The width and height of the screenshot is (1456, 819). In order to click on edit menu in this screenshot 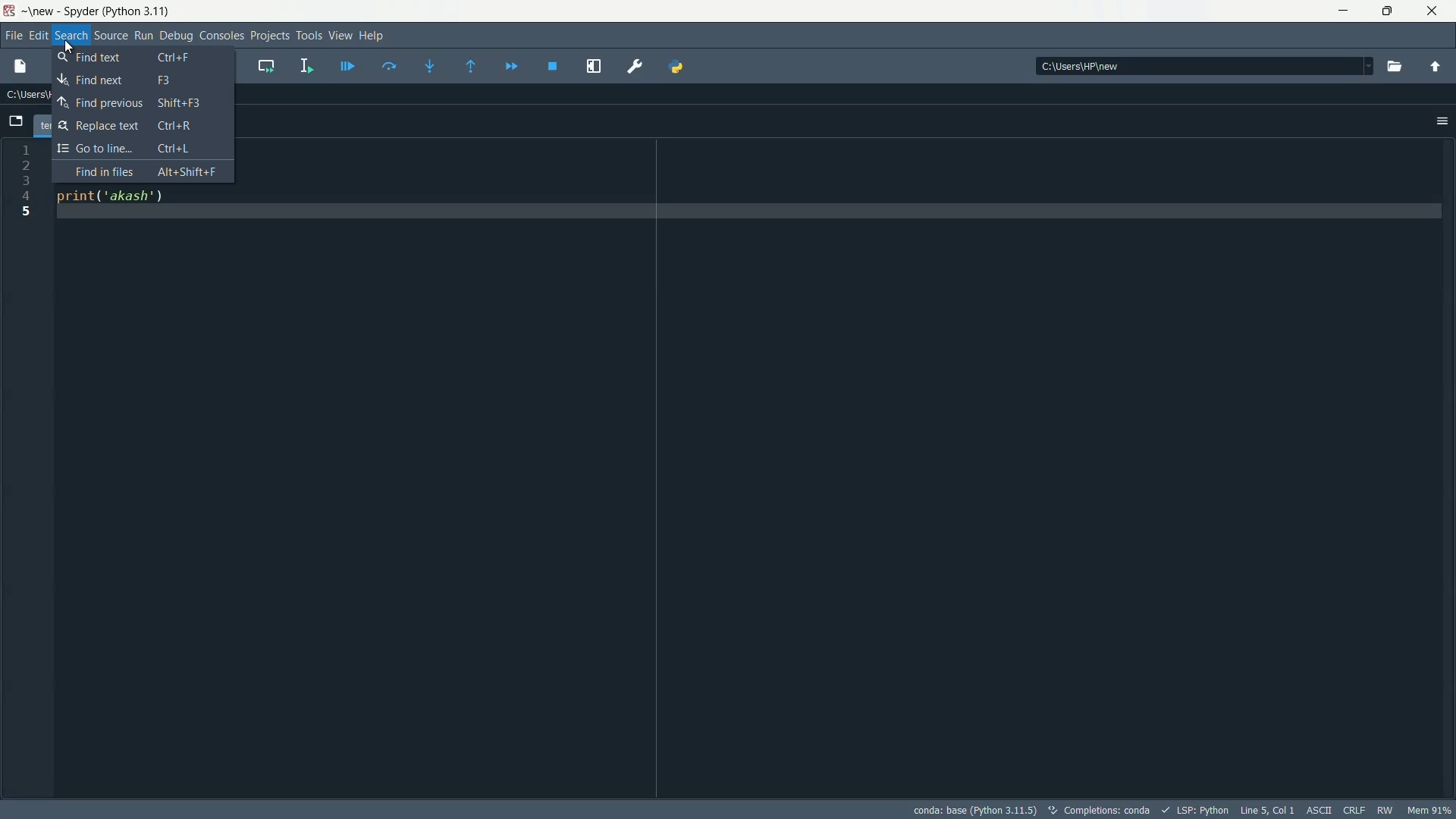, I will do `click(36, 36)`.